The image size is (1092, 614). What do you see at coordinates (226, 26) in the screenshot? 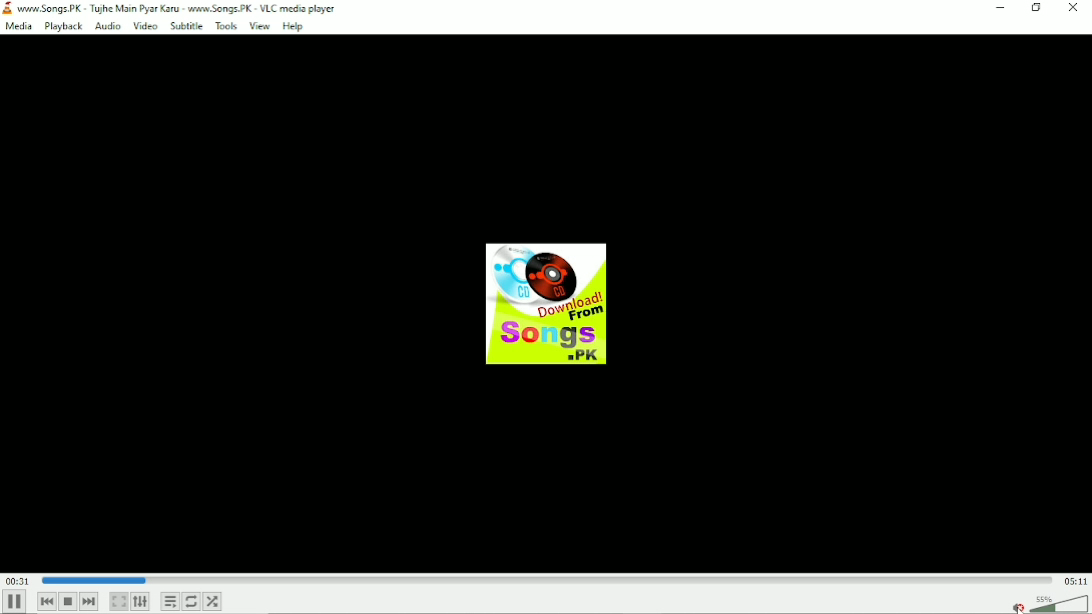
I see `Tools` at bounding box center [226, 26].